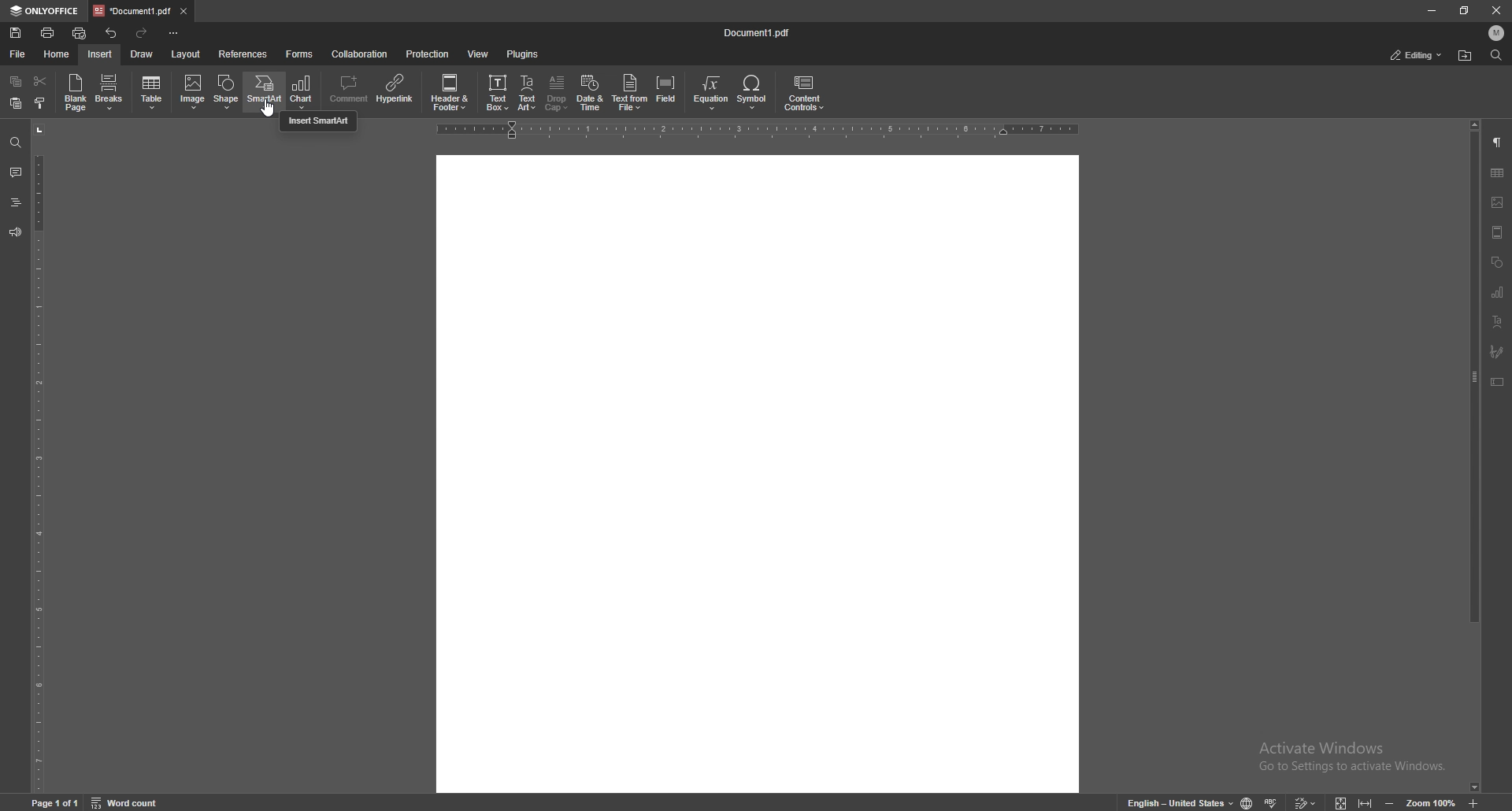 The width and height of the screenshot is (1512, 811). Describe the element at coordinates (41, 81) in the screenshot. I see `cut` at that location.